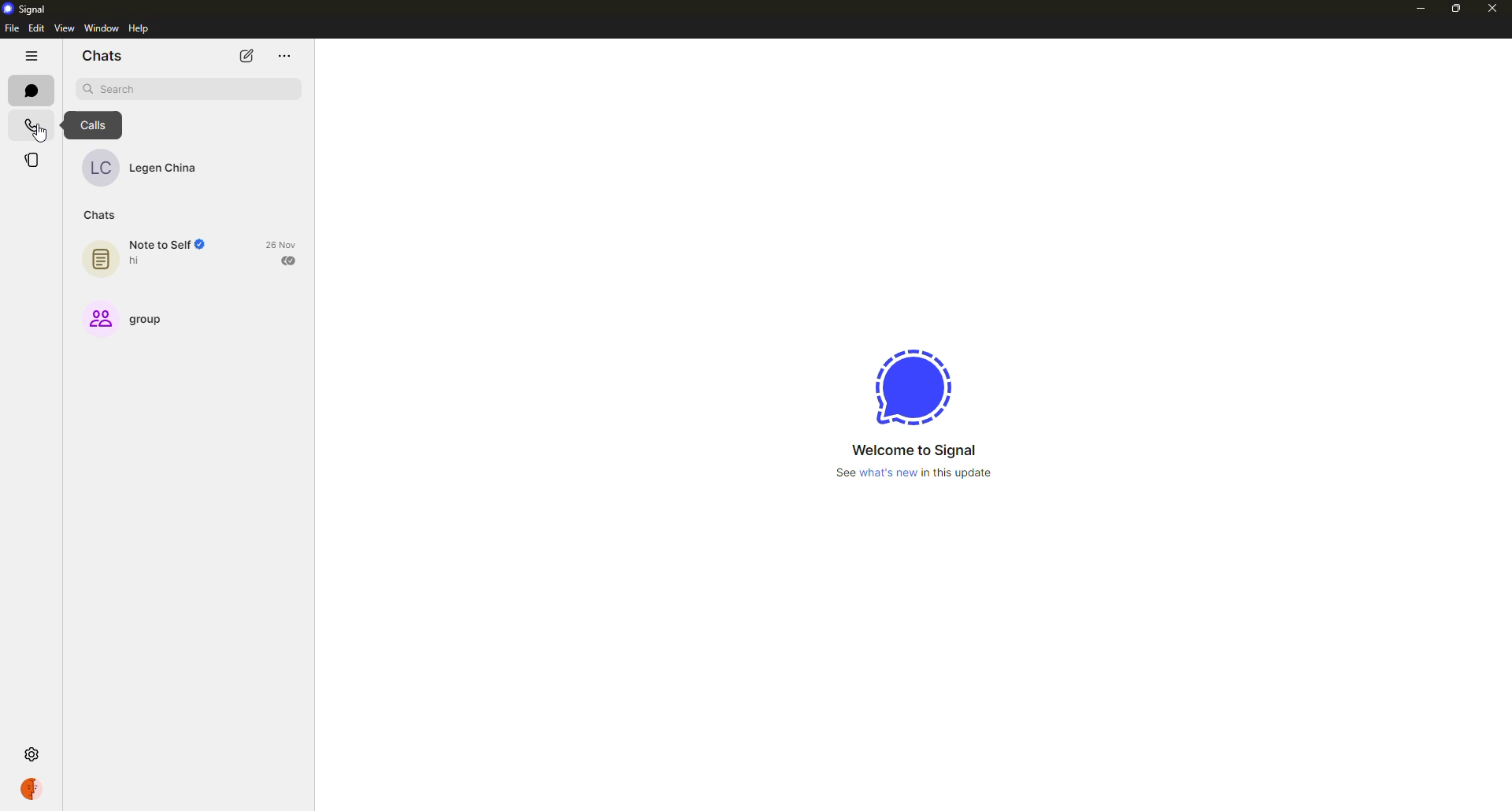 Image resolution: width=1512 pixels, height=811 pixels. I want to click on signal, so click(27, 9).